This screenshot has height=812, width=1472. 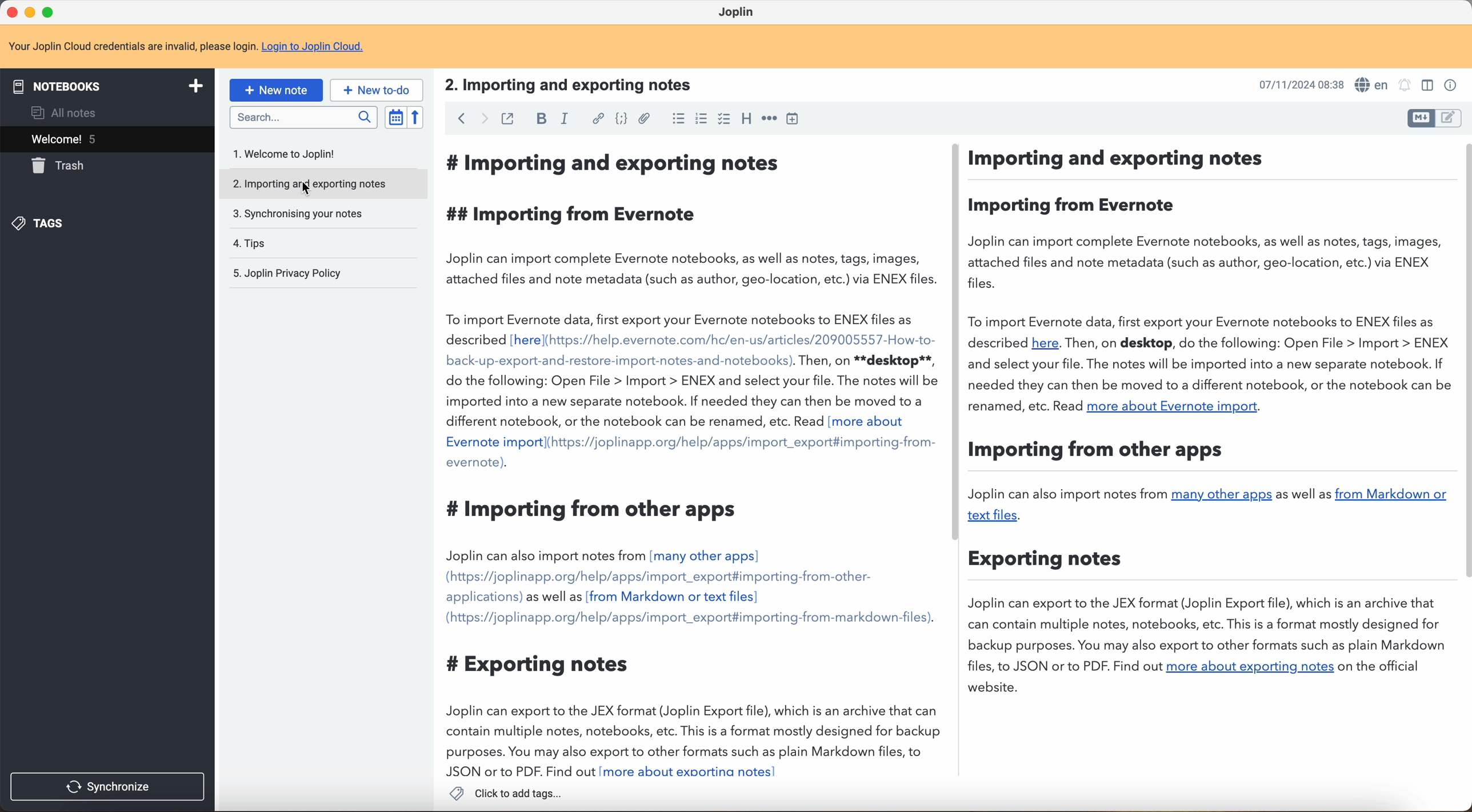 What do you see at coordinates (795, 120) in the screenshot?
I see `insert time` at bounding box center [795, 120].